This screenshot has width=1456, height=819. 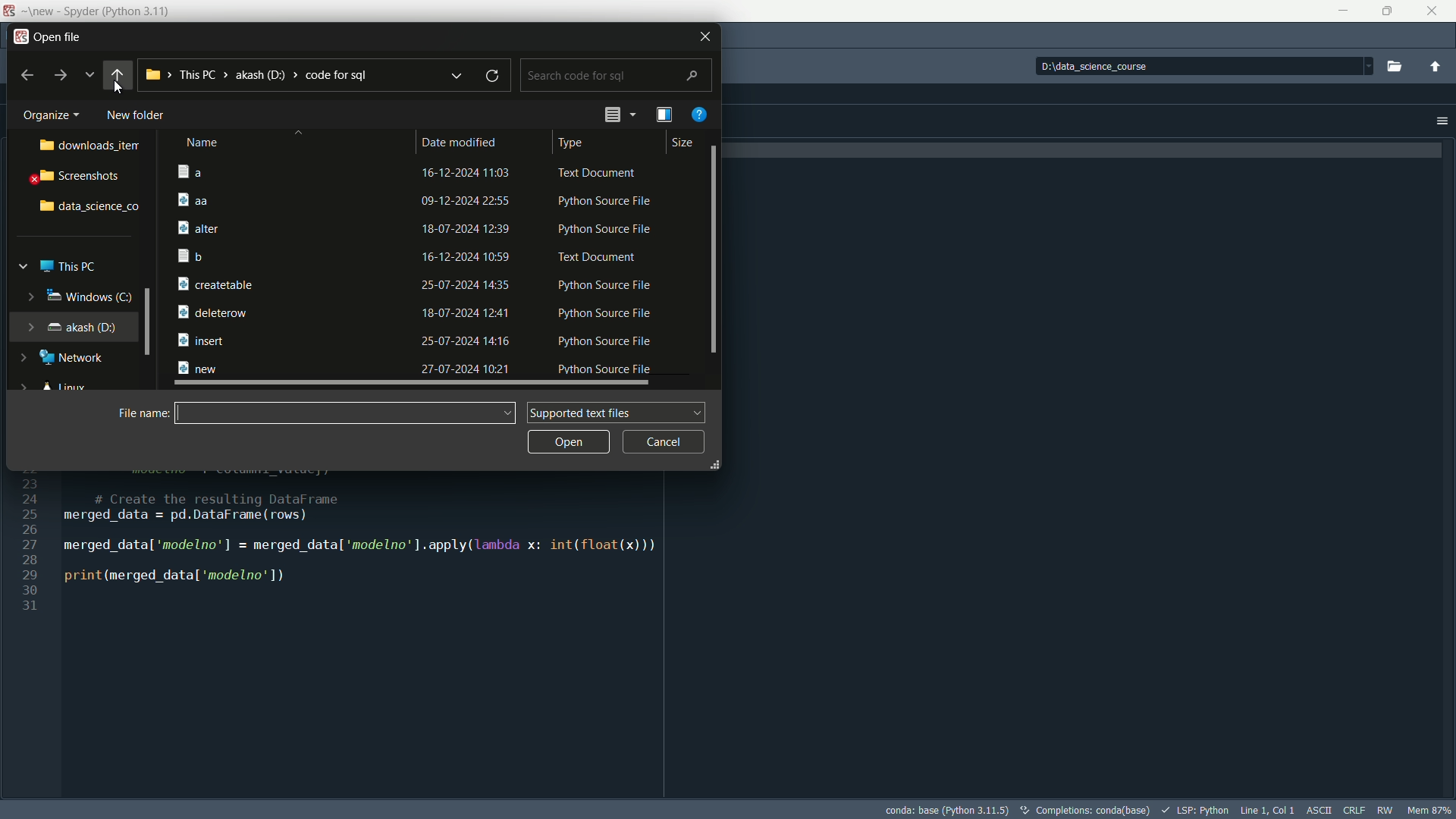 What do you see at coordinates (1386, 809) in the screenshot?
I see `rw` at bounding box center [1386, 809].